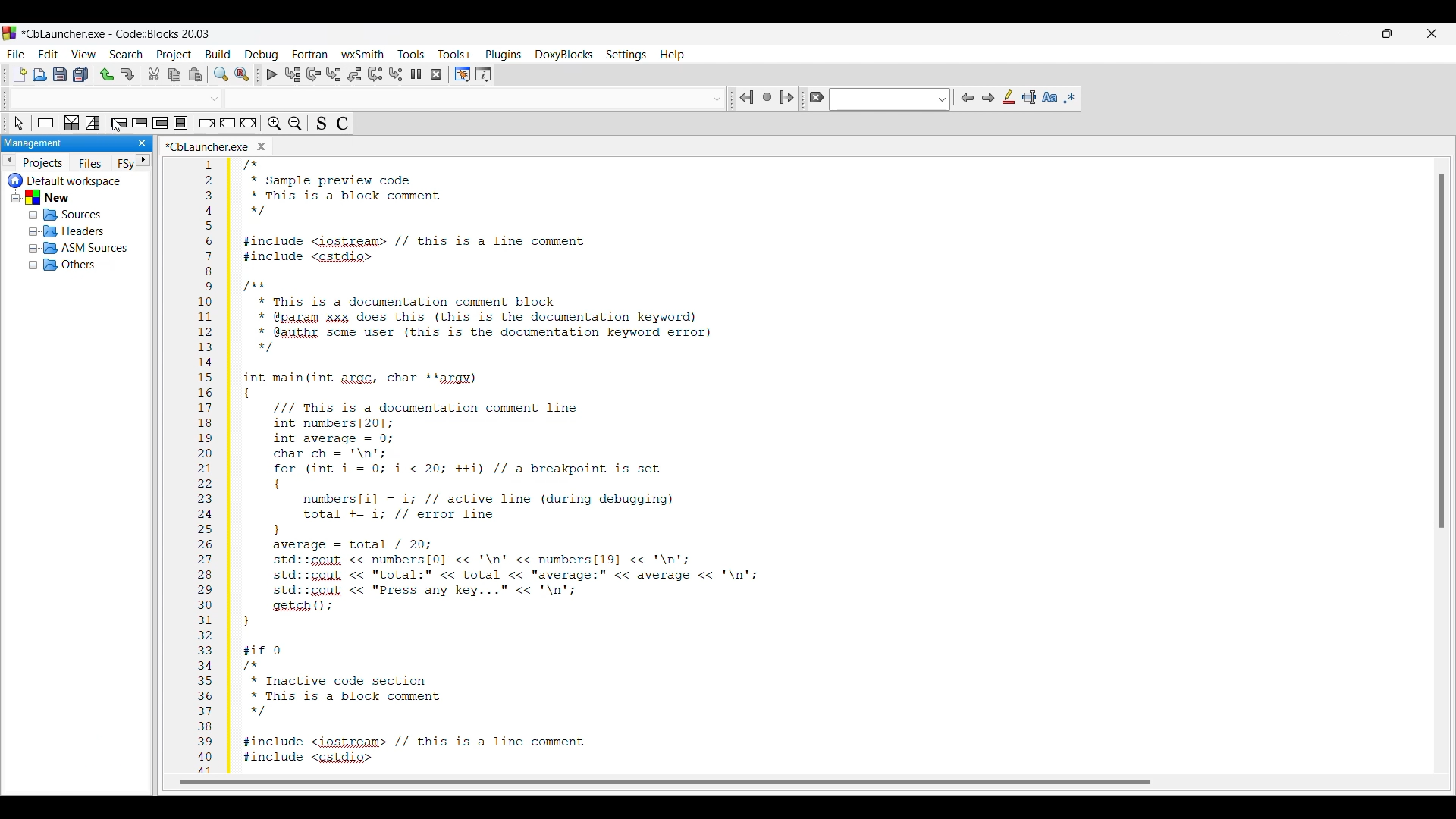 The height and width of the screenshot is (819, 1456). What do you see at coordinates (498, 463) in the screenshot?
I see `Current code` at bounding box center [498, 463].